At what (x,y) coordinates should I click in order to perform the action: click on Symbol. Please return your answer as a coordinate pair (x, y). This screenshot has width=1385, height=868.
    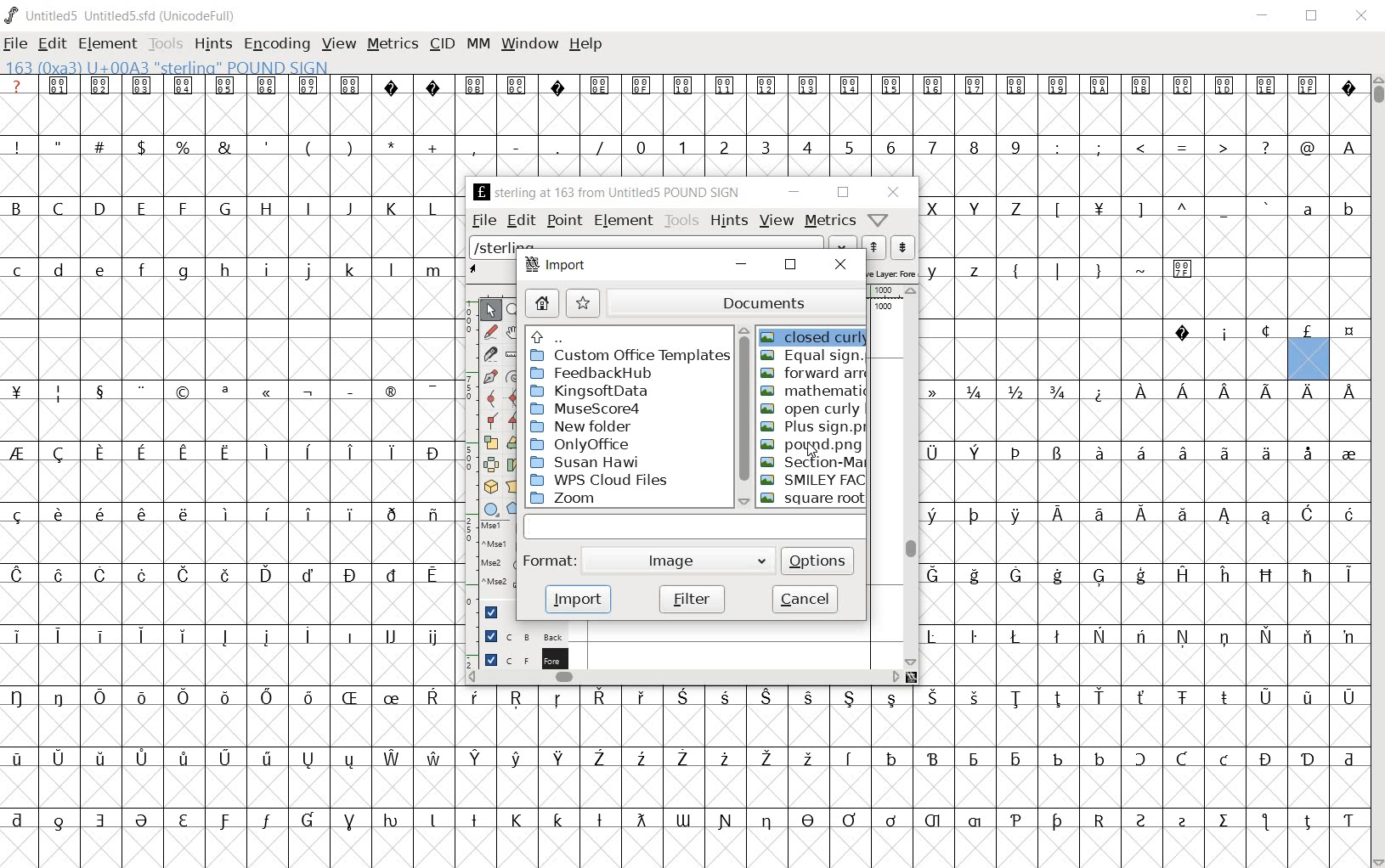
    Looking at the image, I should click on (307, 698).